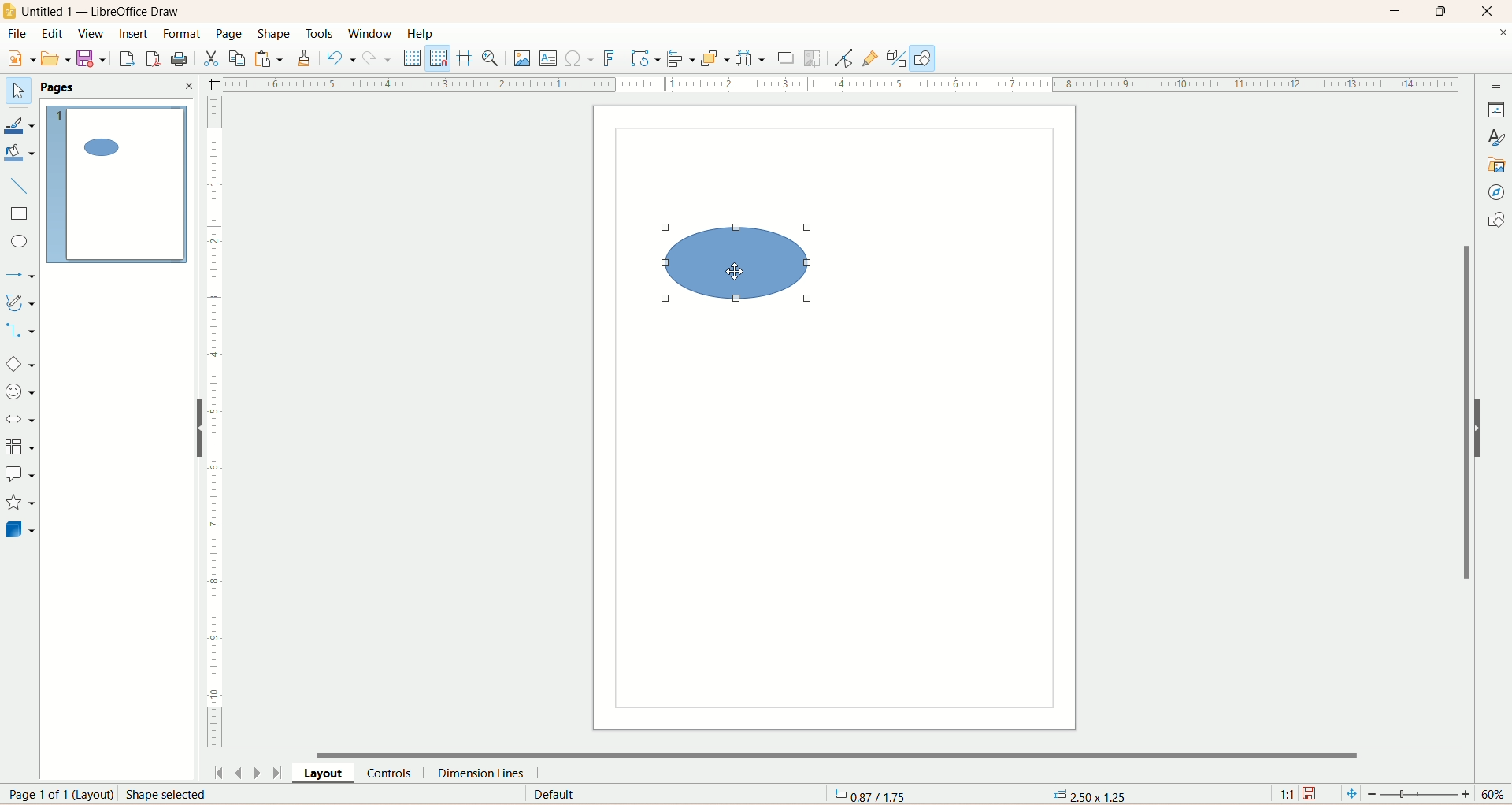  I want to click on fit page to current window, so click(1349, 794).